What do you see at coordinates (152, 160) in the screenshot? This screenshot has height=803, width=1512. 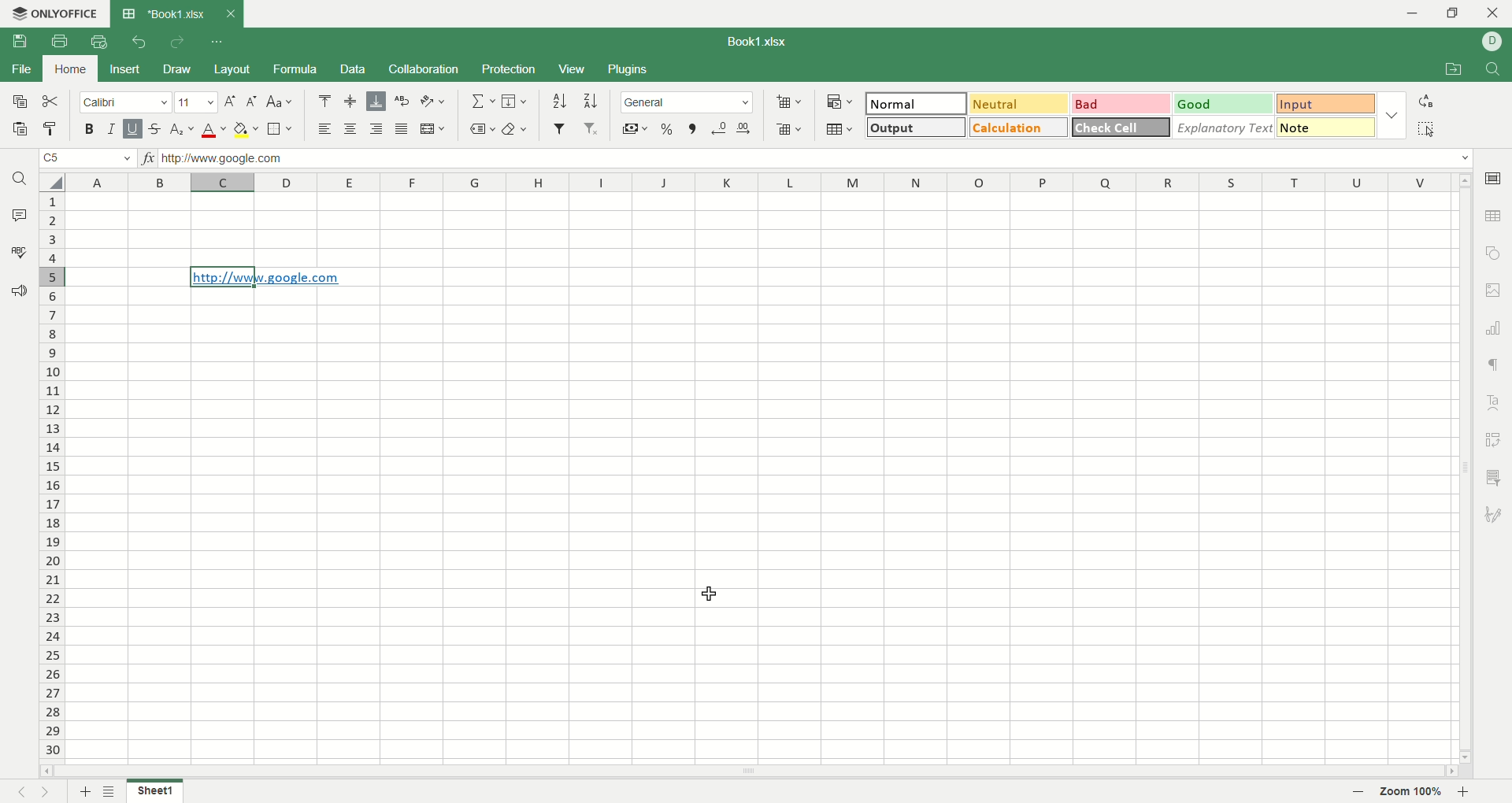 I see `insert function` at bounding box center [152, 160].